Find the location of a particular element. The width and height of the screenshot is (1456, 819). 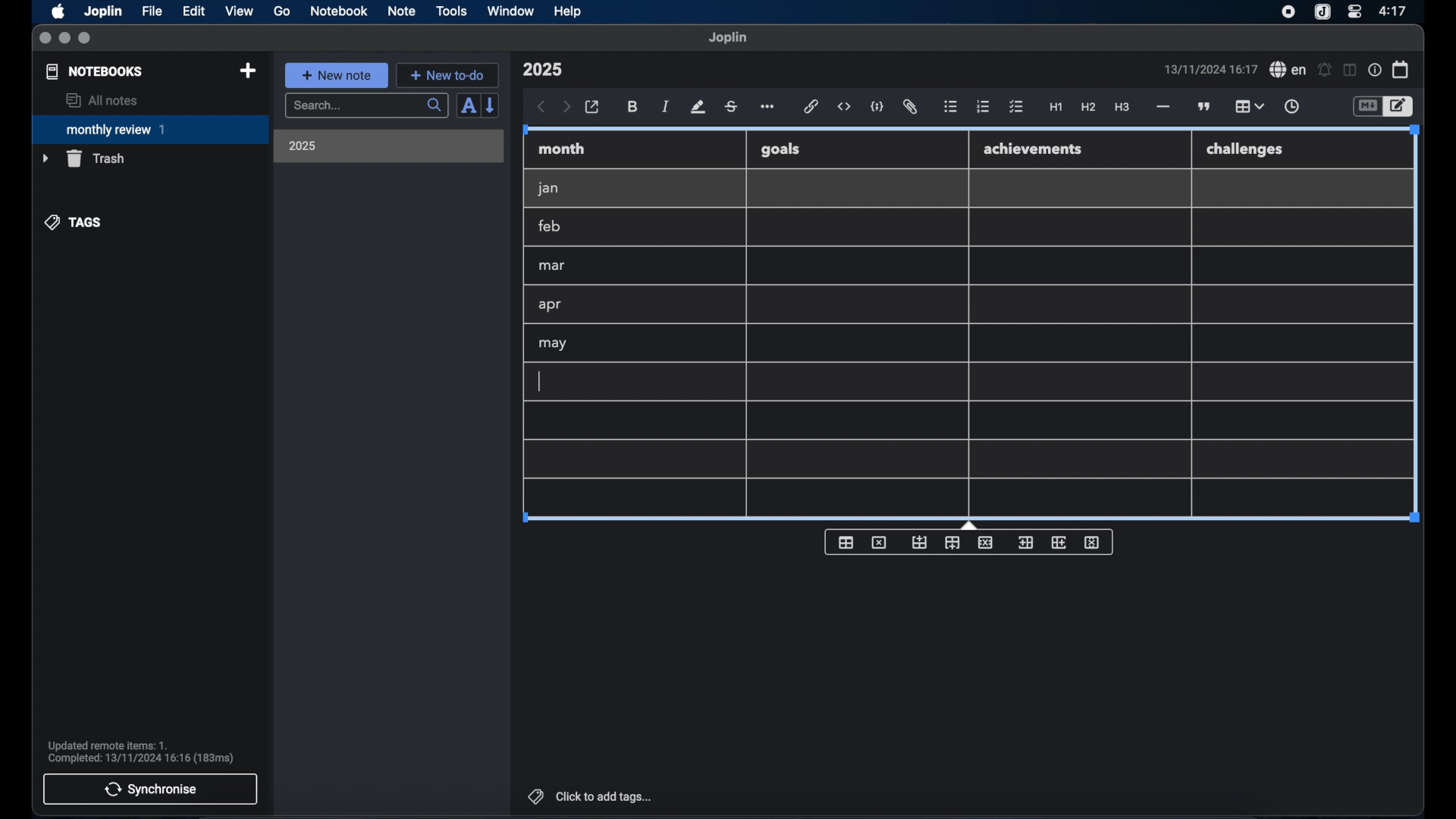

insert table is located at coordinates (846, 542).